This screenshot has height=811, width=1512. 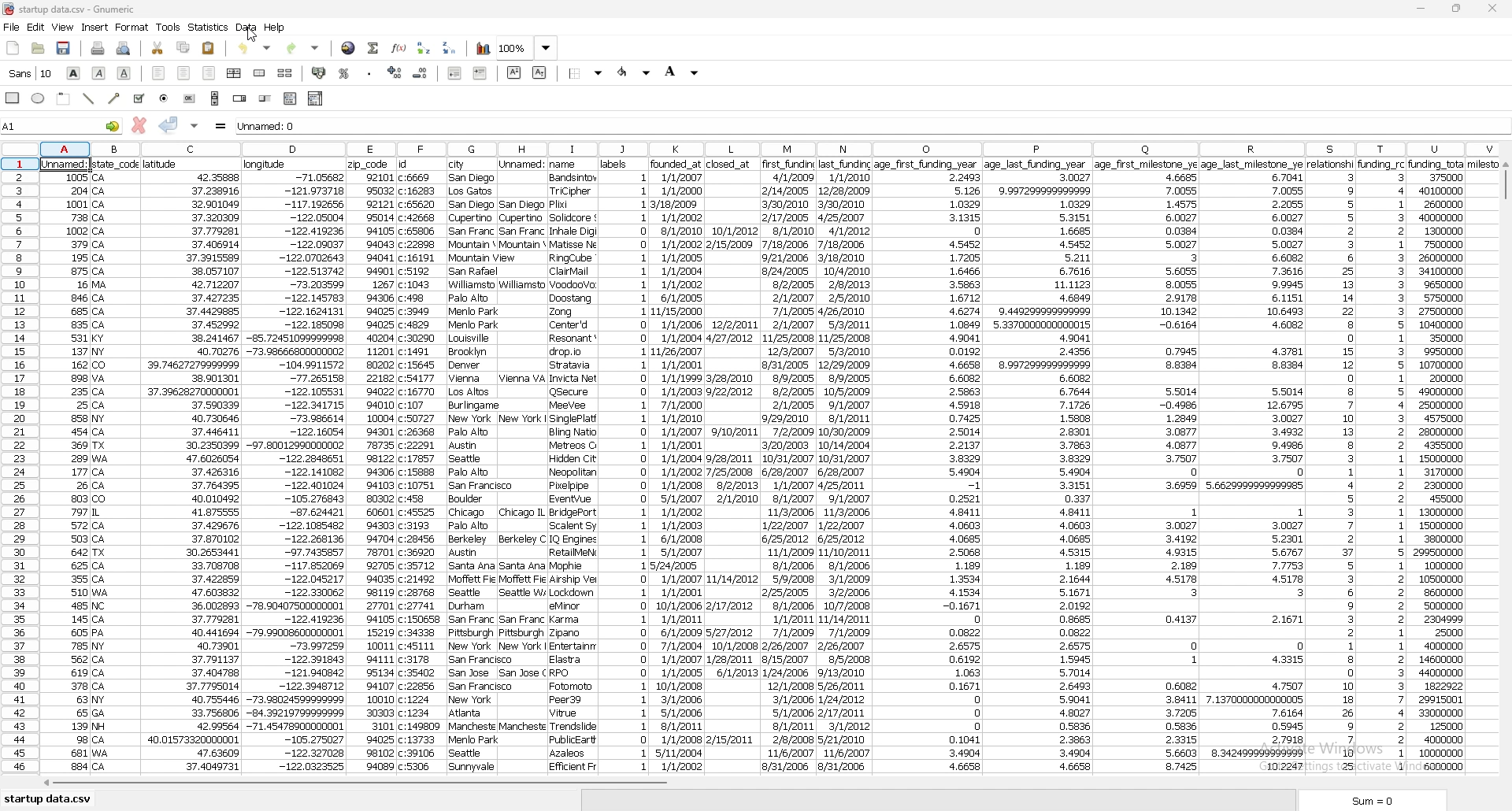 What do you see at coordinates (679, 465) in the screenshot?
I see `data` at bounding box center [679, 465].